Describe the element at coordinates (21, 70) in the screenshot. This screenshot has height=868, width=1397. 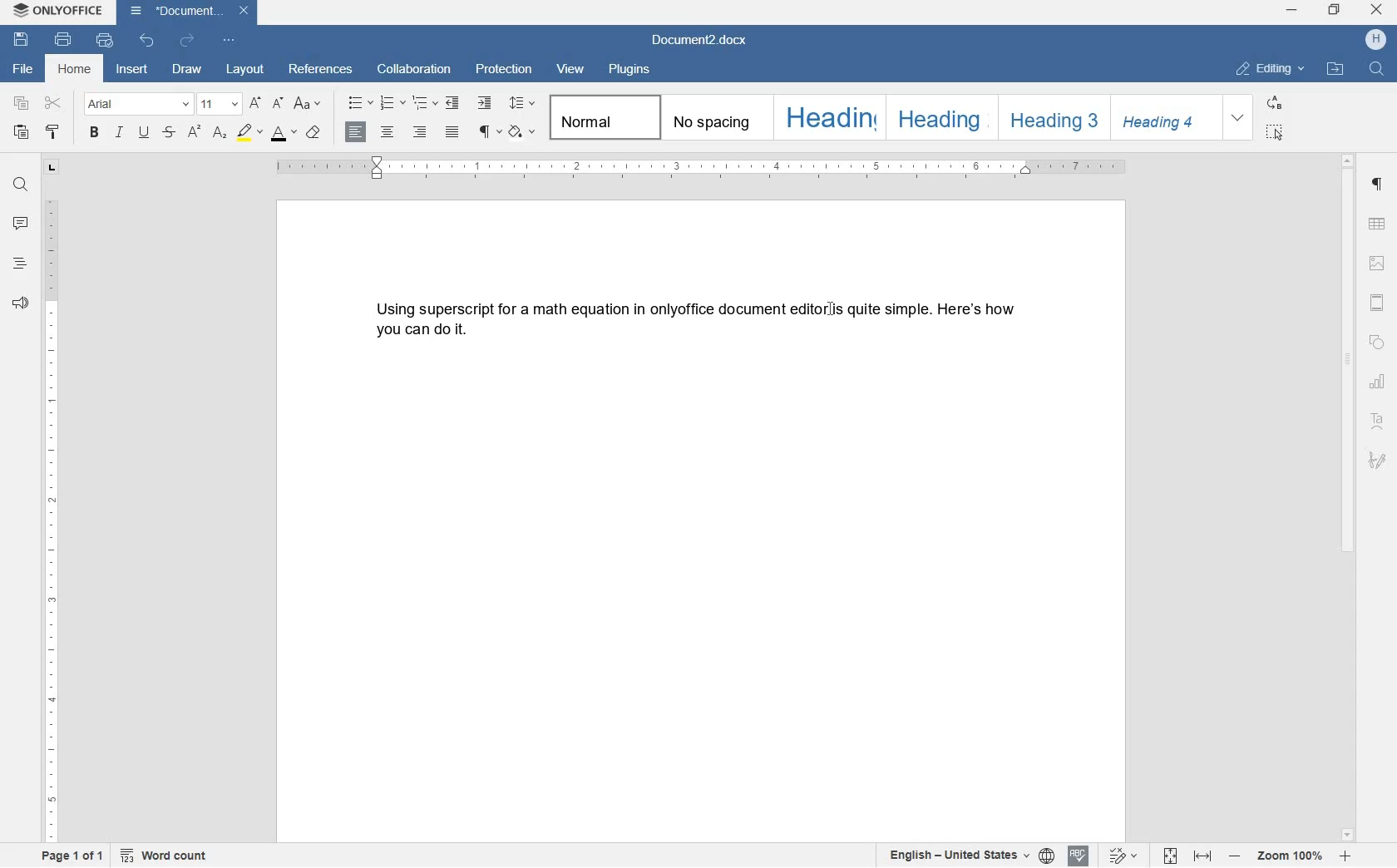
I see `file` at that location.